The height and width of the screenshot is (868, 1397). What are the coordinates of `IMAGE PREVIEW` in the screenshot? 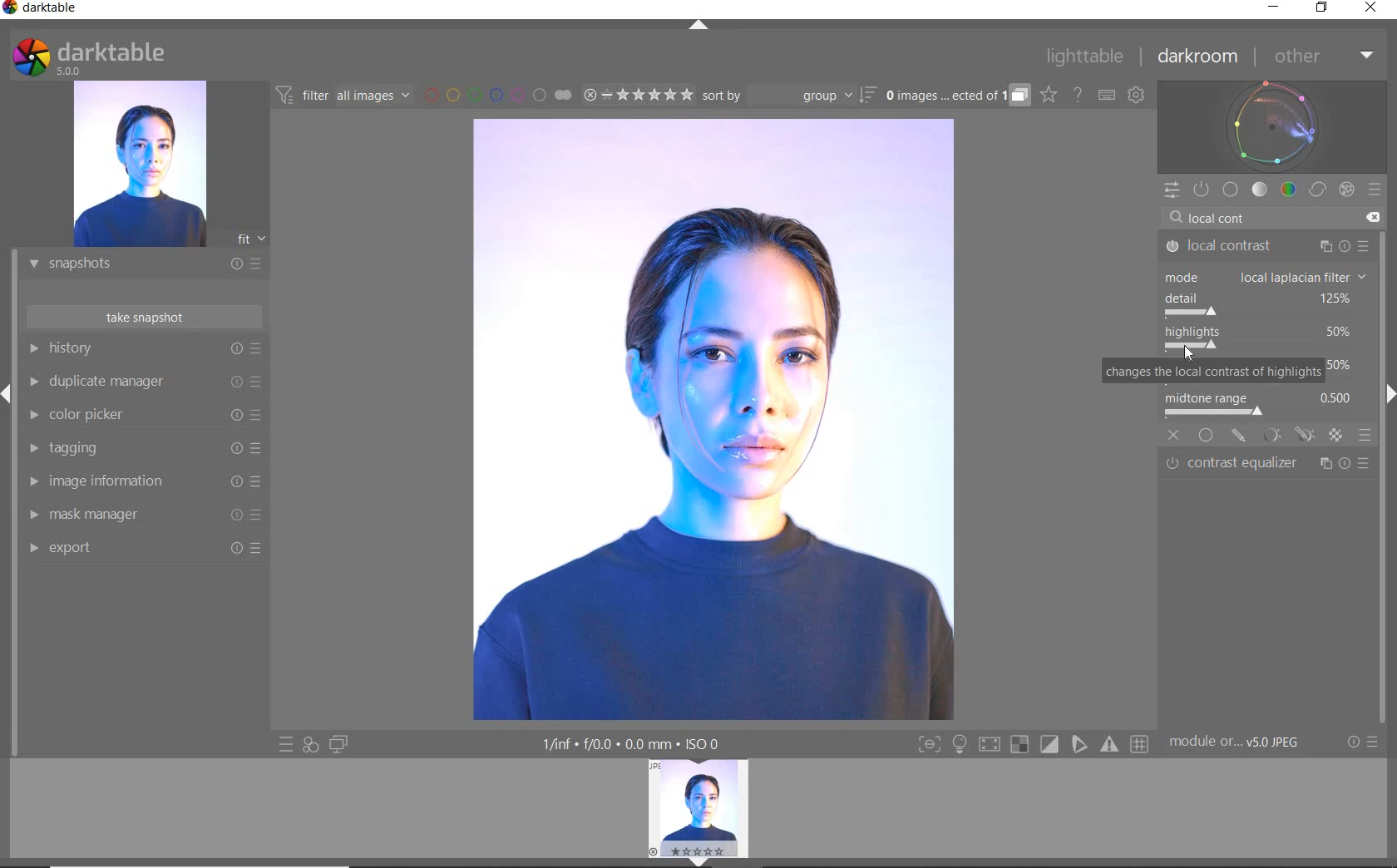 It's located at (139, 165).